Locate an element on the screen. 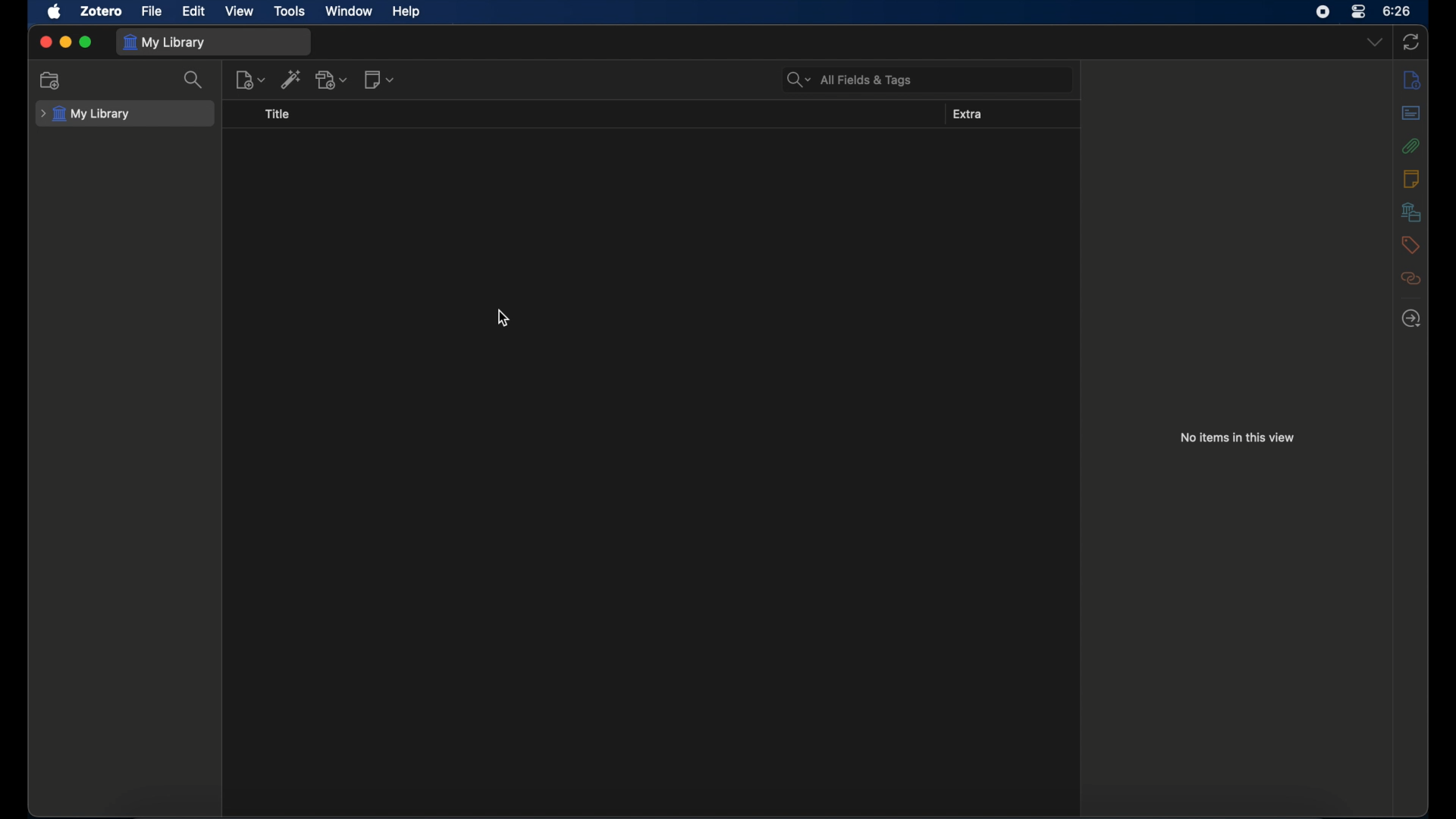  add item by identifier is located at coordinates (291, 79).